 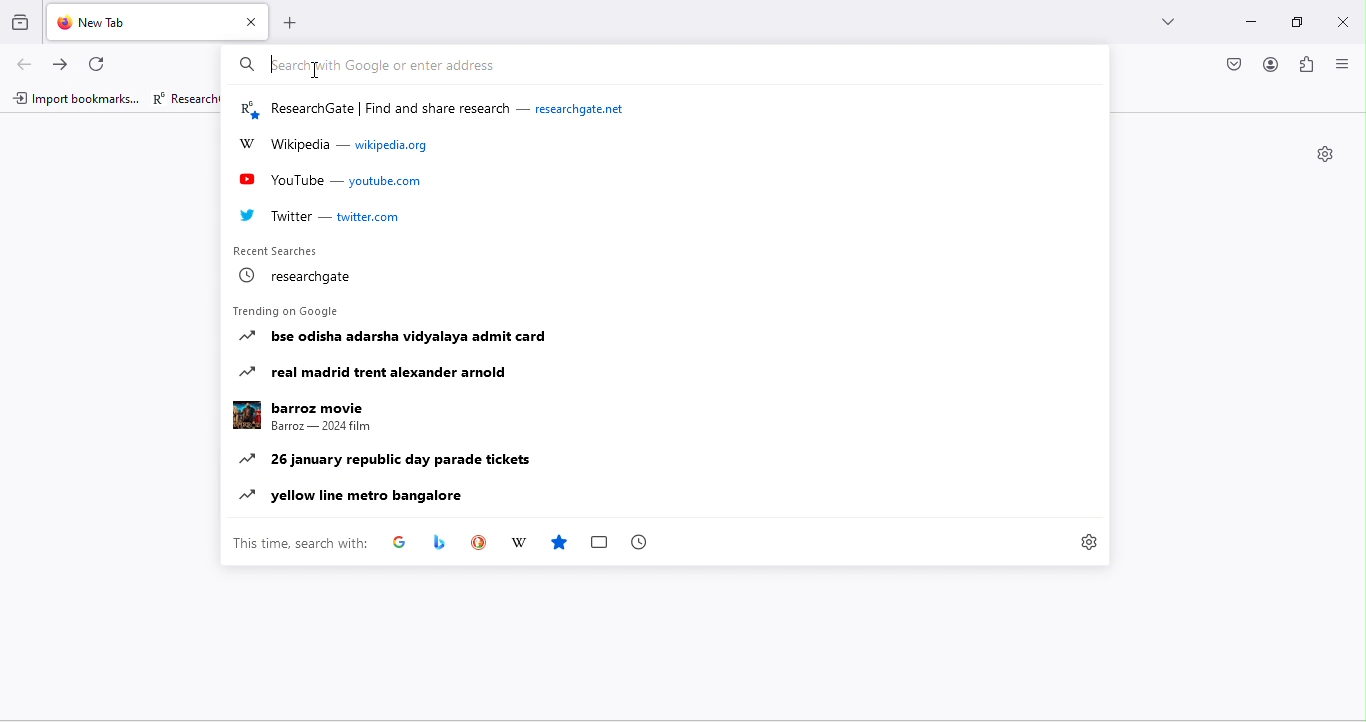 I want to click on app, so click(x=442, y=544).